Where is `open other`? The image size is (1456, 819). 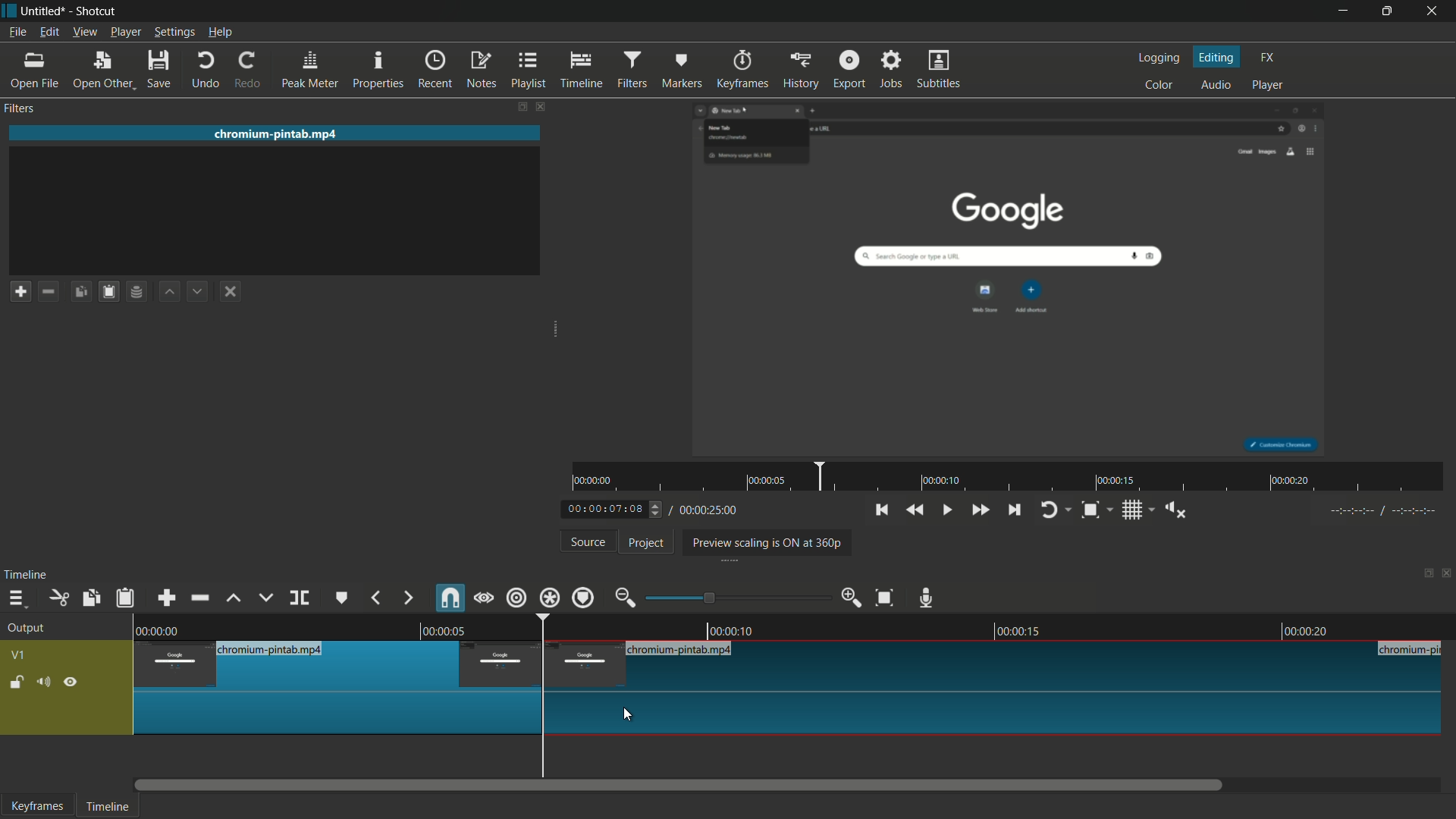
open other is located at coordinates (101, 70).